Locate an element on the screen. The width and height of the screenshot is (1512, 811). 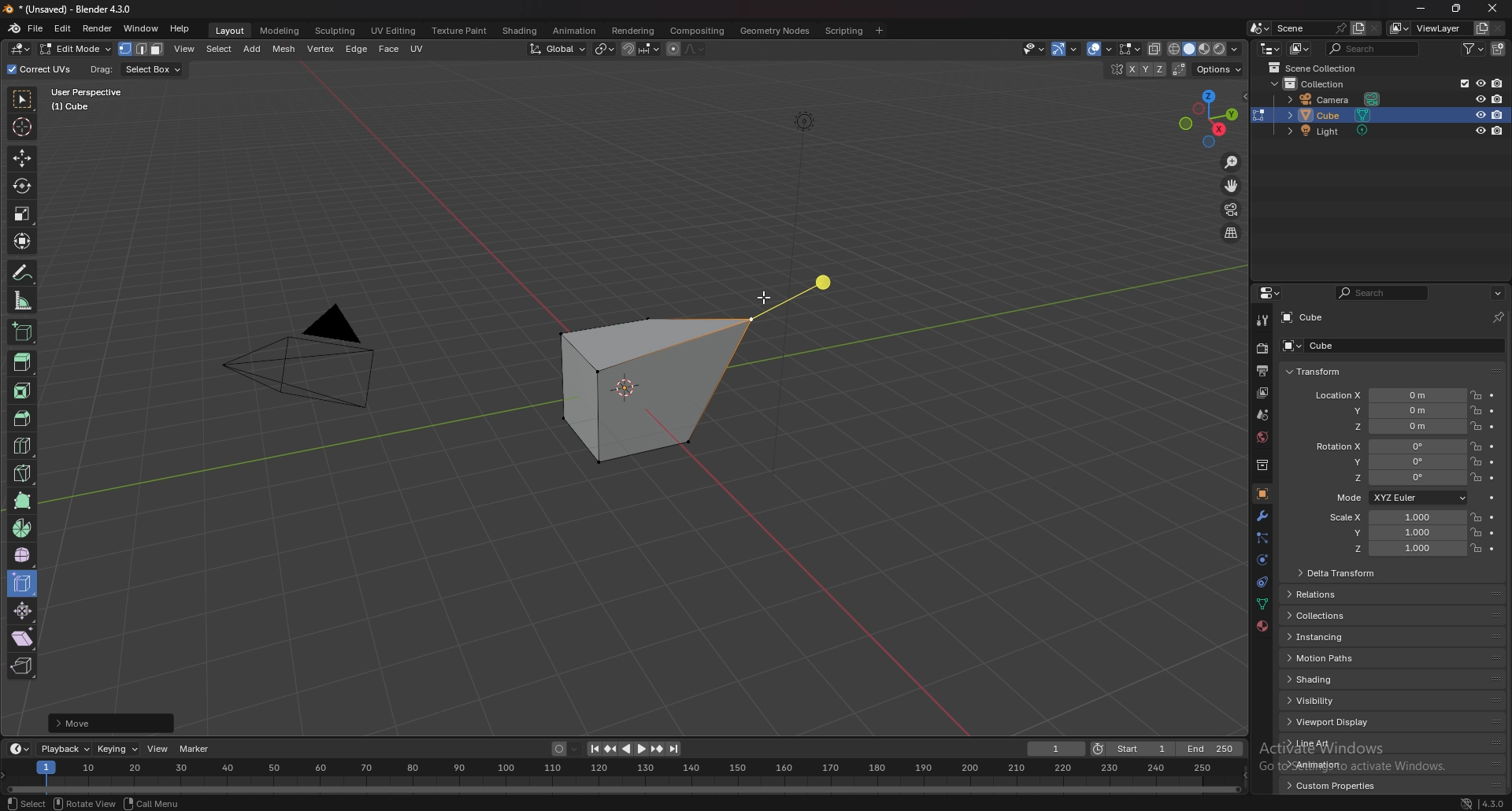
geometry nodes is located at coordinates (774, 31).